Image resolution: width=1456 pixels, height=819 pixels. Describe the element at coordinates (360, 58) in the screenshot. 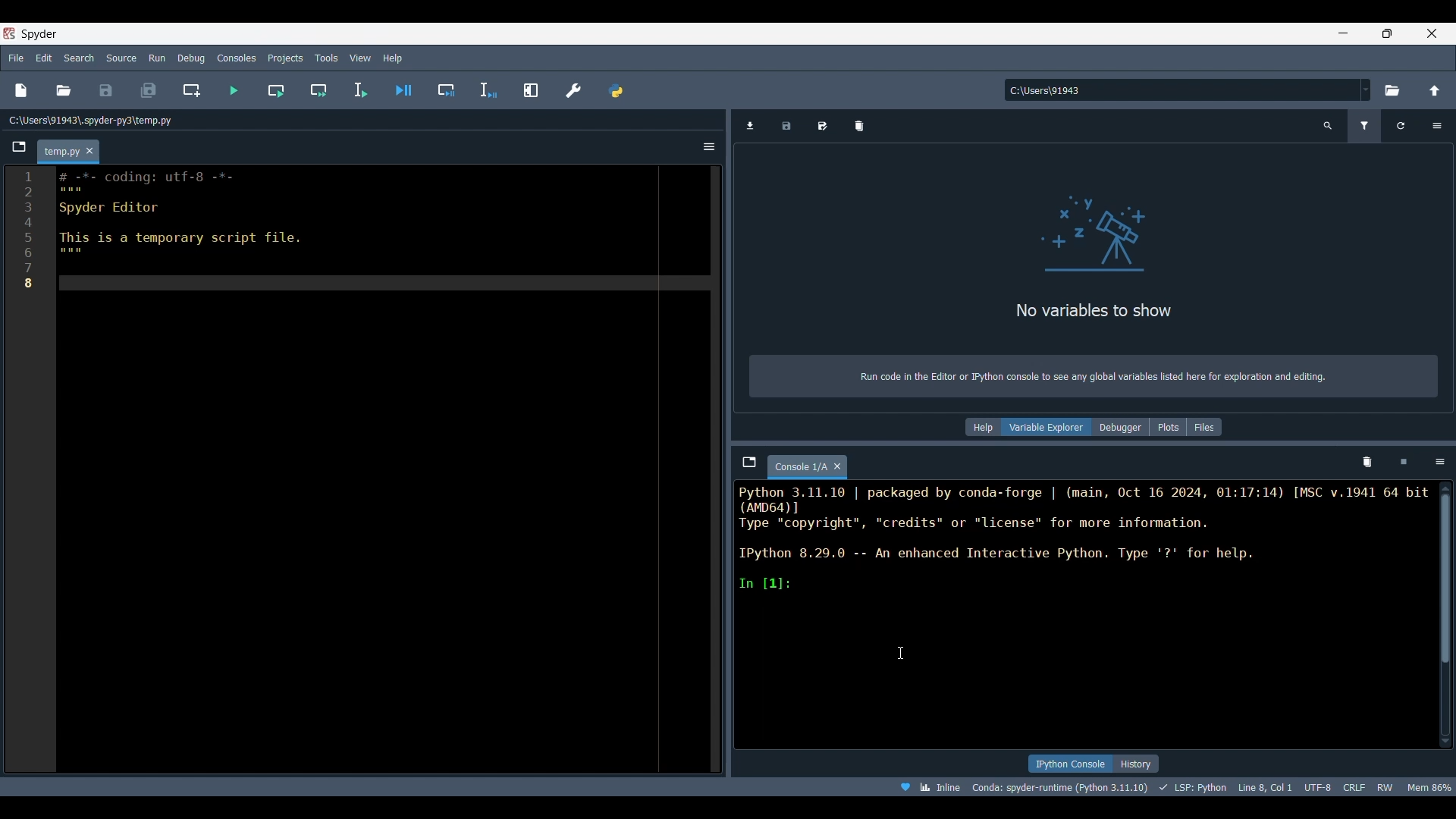

I see `View menu` at that location.